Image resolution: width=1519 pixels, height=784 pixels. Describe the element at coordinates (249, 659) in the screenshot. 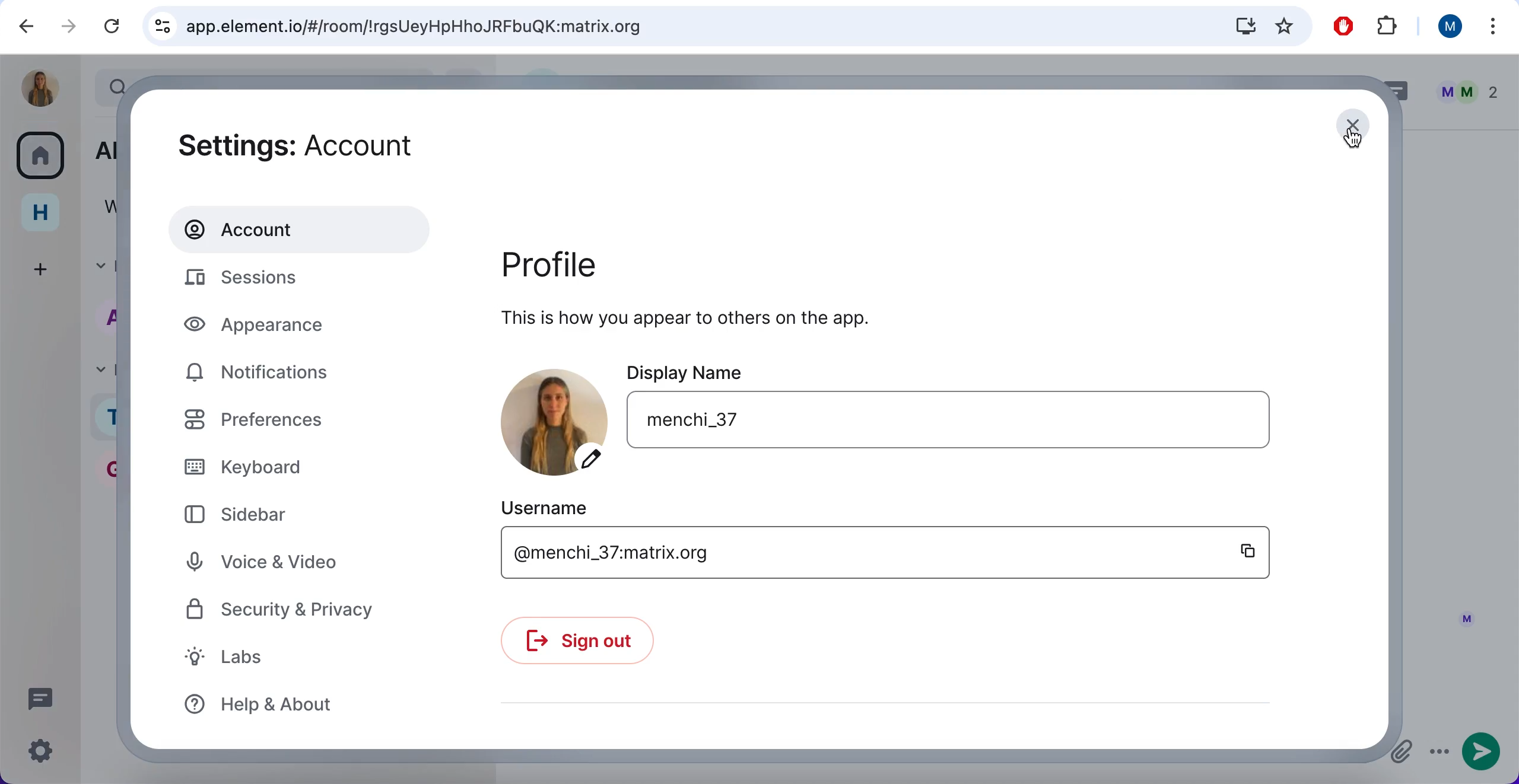

I see `labs` at that location.